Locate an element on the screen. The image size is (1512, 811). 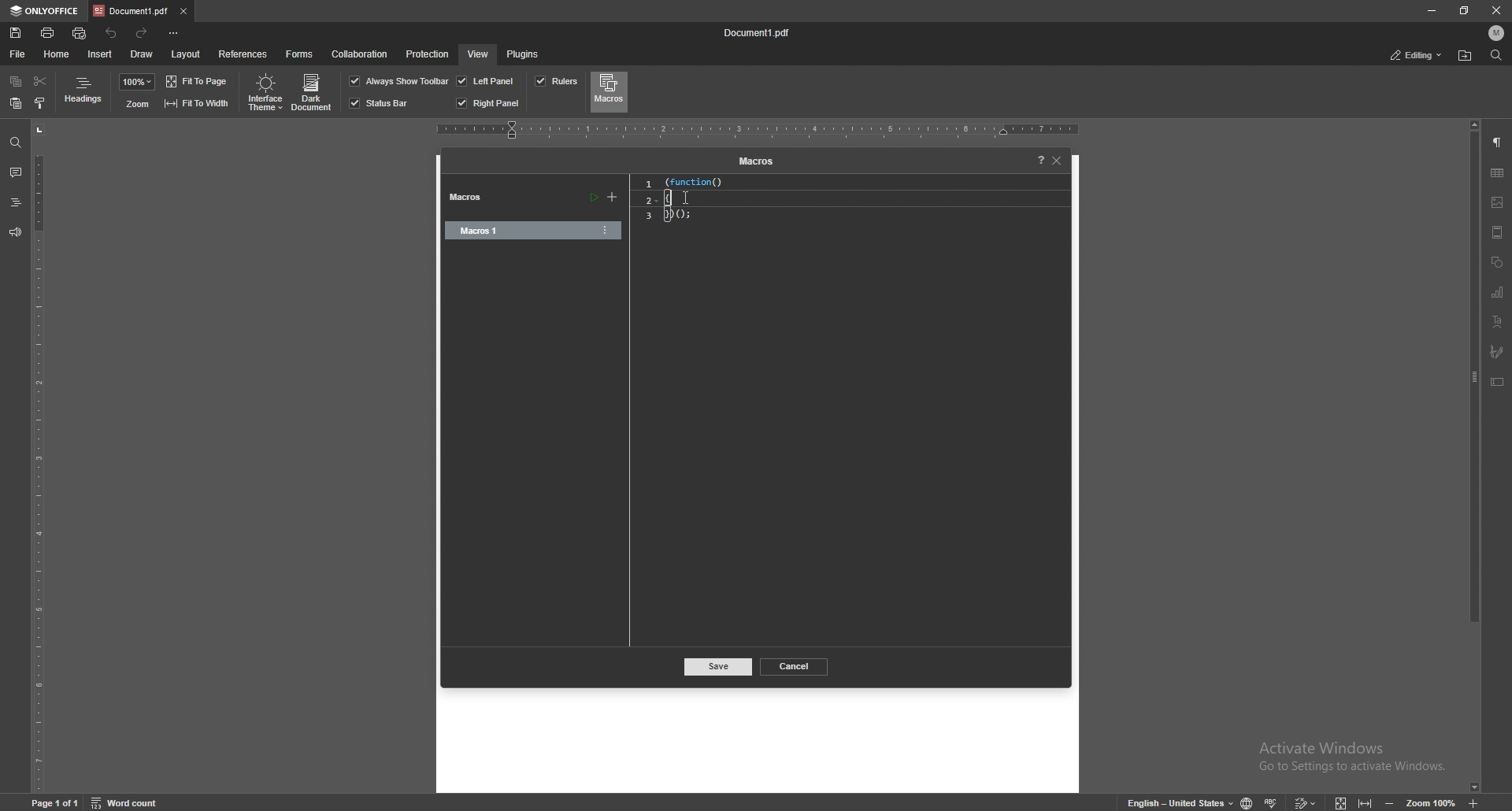
status bar is located at coordinates (380, 103).